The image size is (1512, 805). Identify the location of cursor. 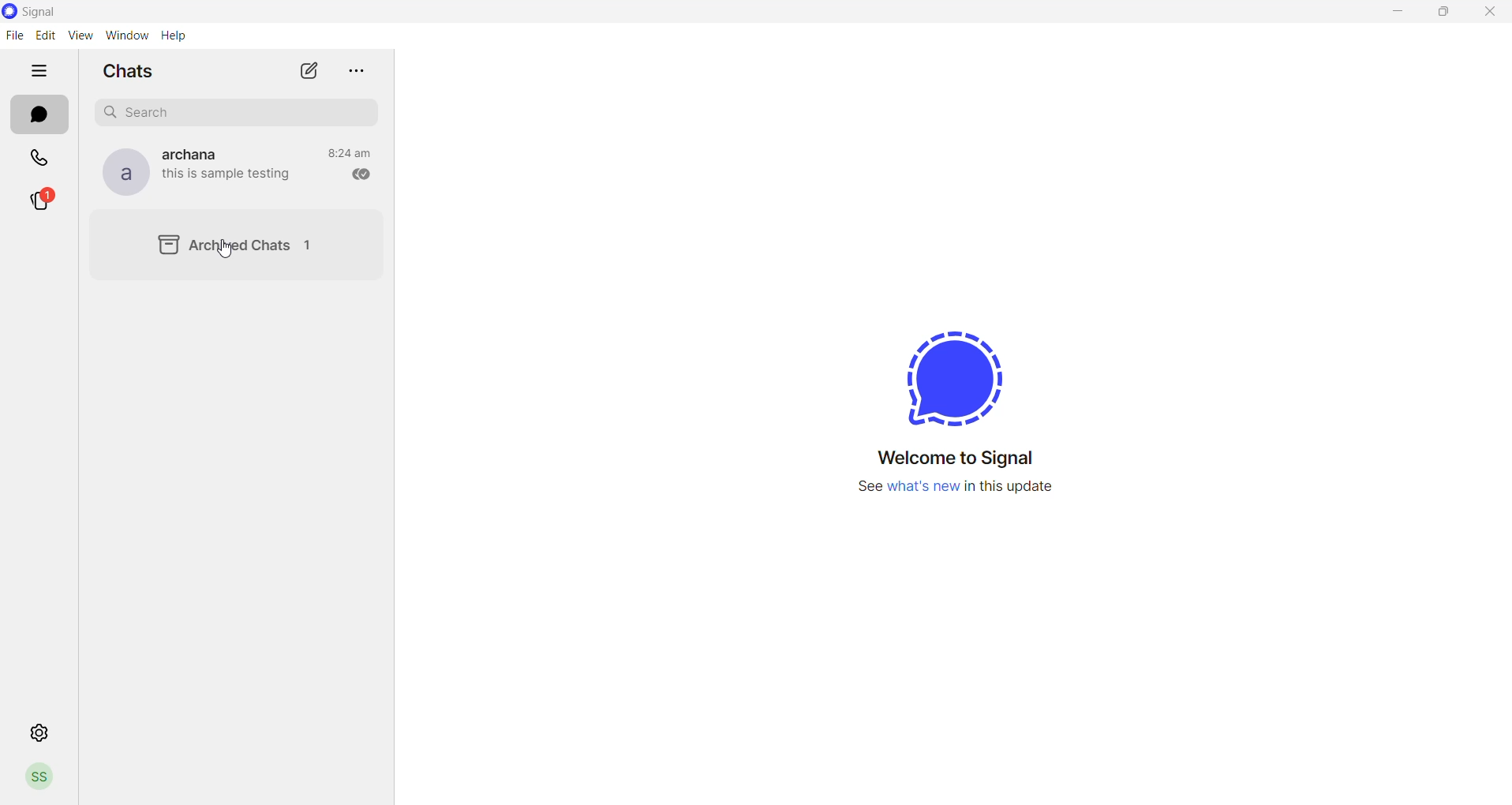
(226, 252).